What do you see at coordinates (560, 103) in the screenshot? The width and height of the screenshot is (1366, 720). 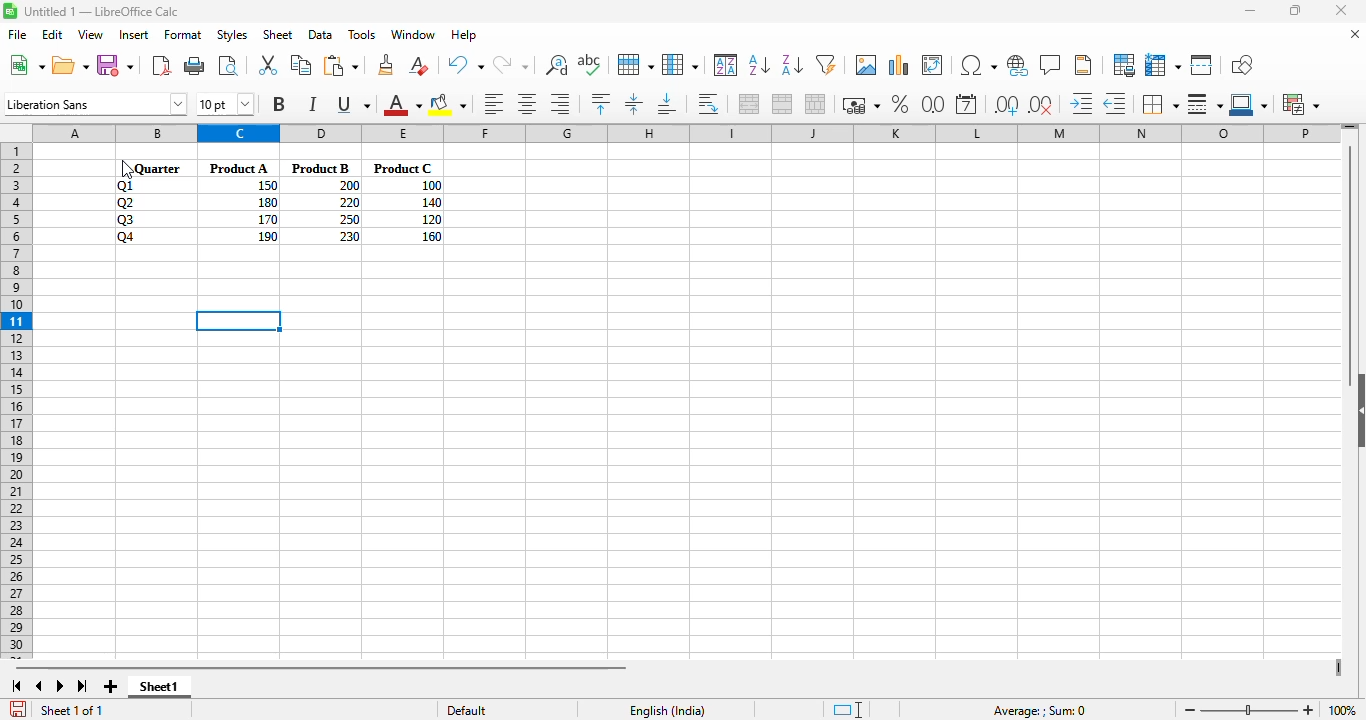 I see `align right` at bounding box center [560, 103].